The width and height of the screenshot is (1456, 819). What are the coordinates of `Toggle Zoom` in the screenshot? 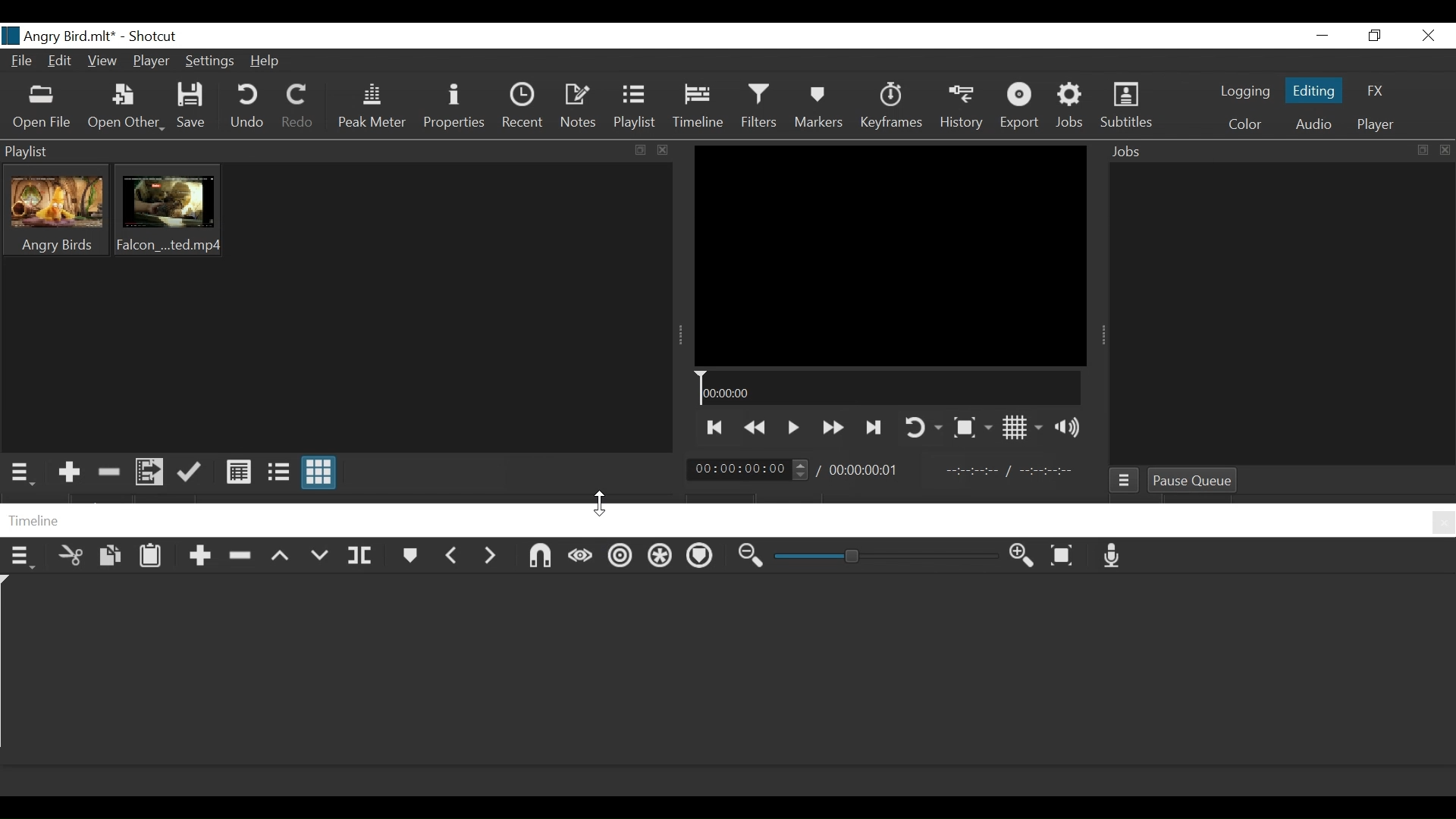 It's located at (972, 430).